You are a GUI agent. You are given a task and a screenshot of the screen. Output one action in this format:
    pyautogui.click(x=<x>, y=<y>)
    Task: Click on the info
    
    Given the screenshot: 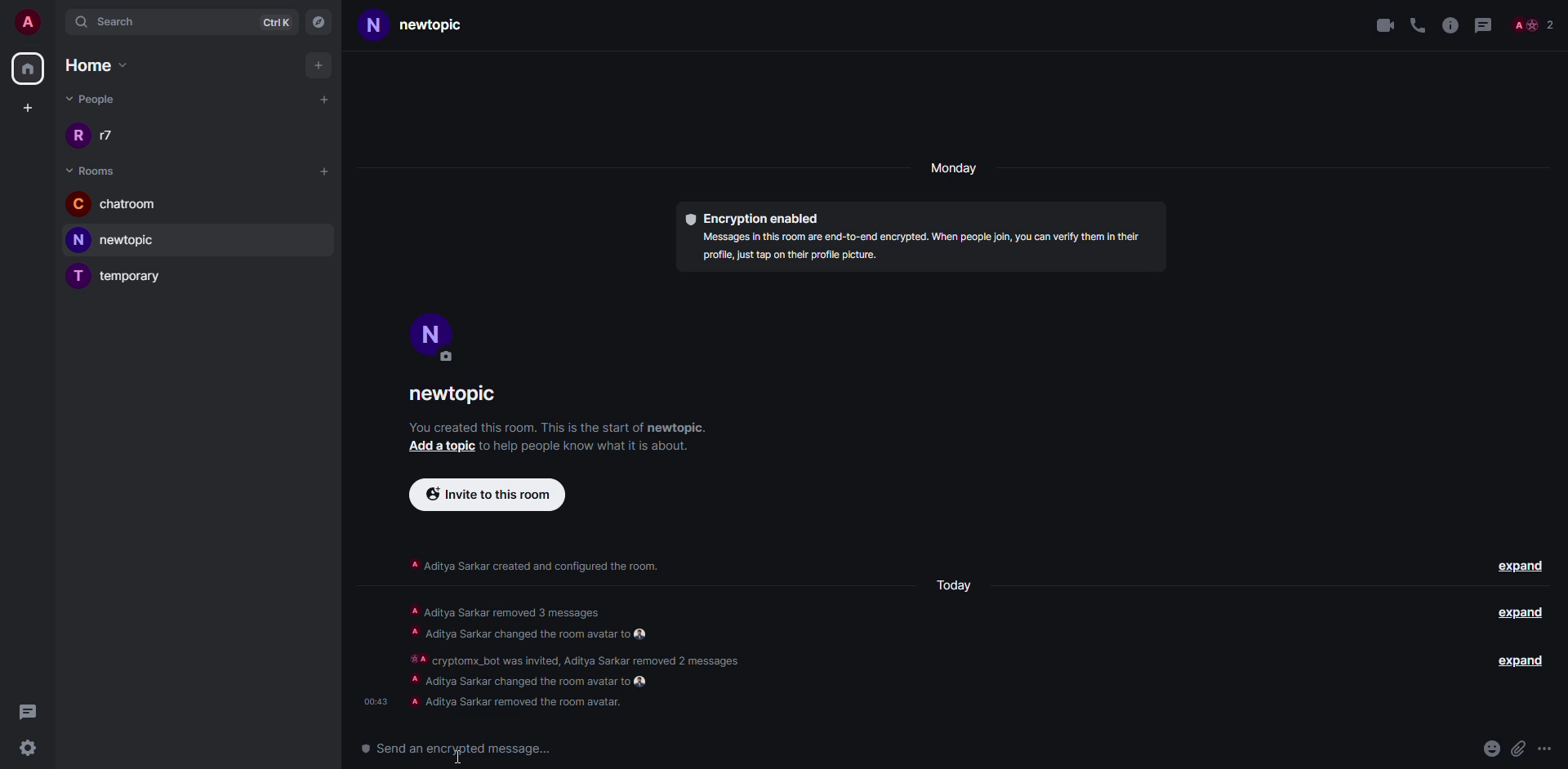 What is the action you would take?
    pyautogui.click(x=1450, y=23)
    